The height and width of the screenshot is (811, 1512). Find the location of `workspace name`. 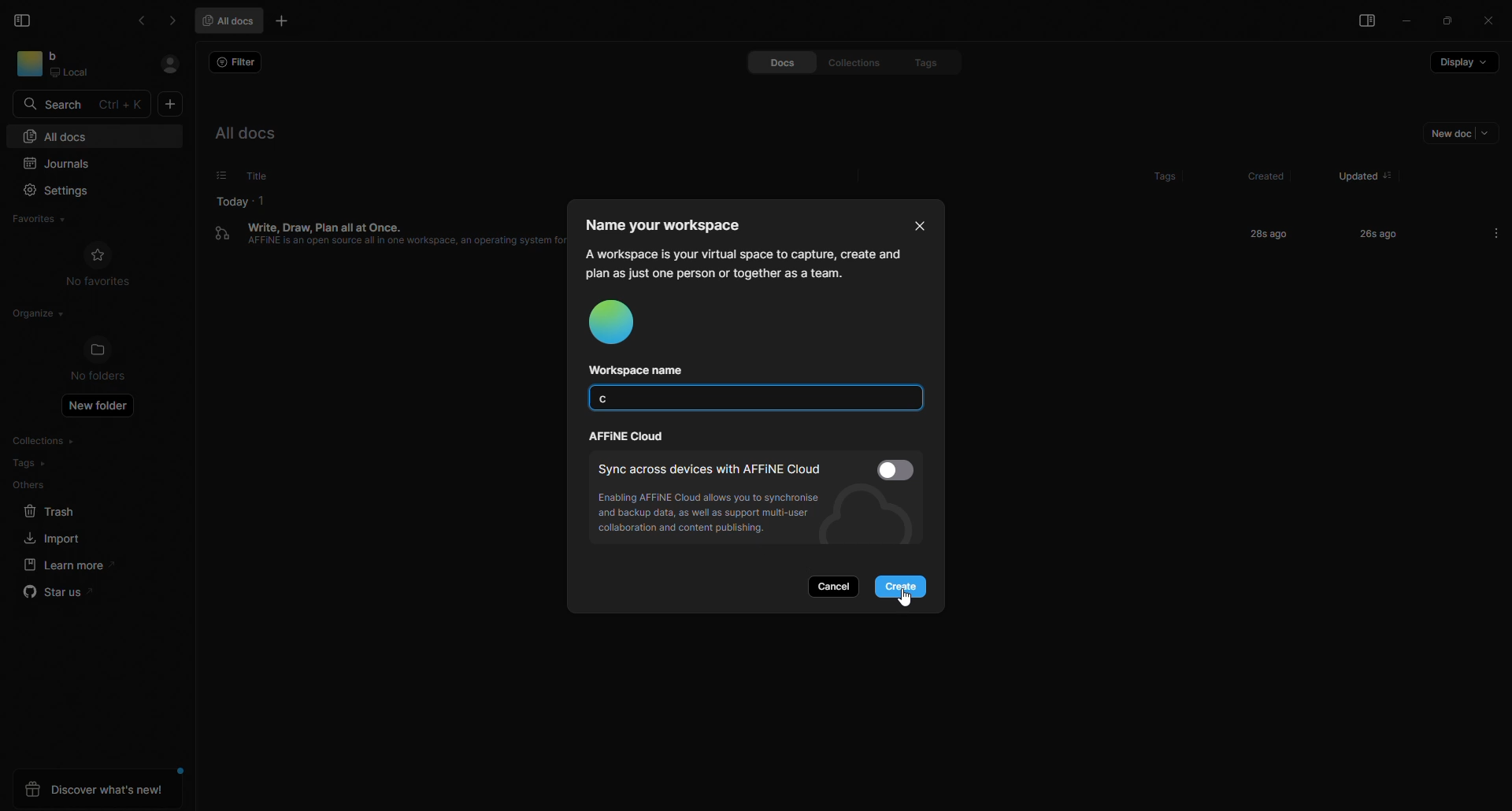

workspace name is located at coordinates (644, 370).